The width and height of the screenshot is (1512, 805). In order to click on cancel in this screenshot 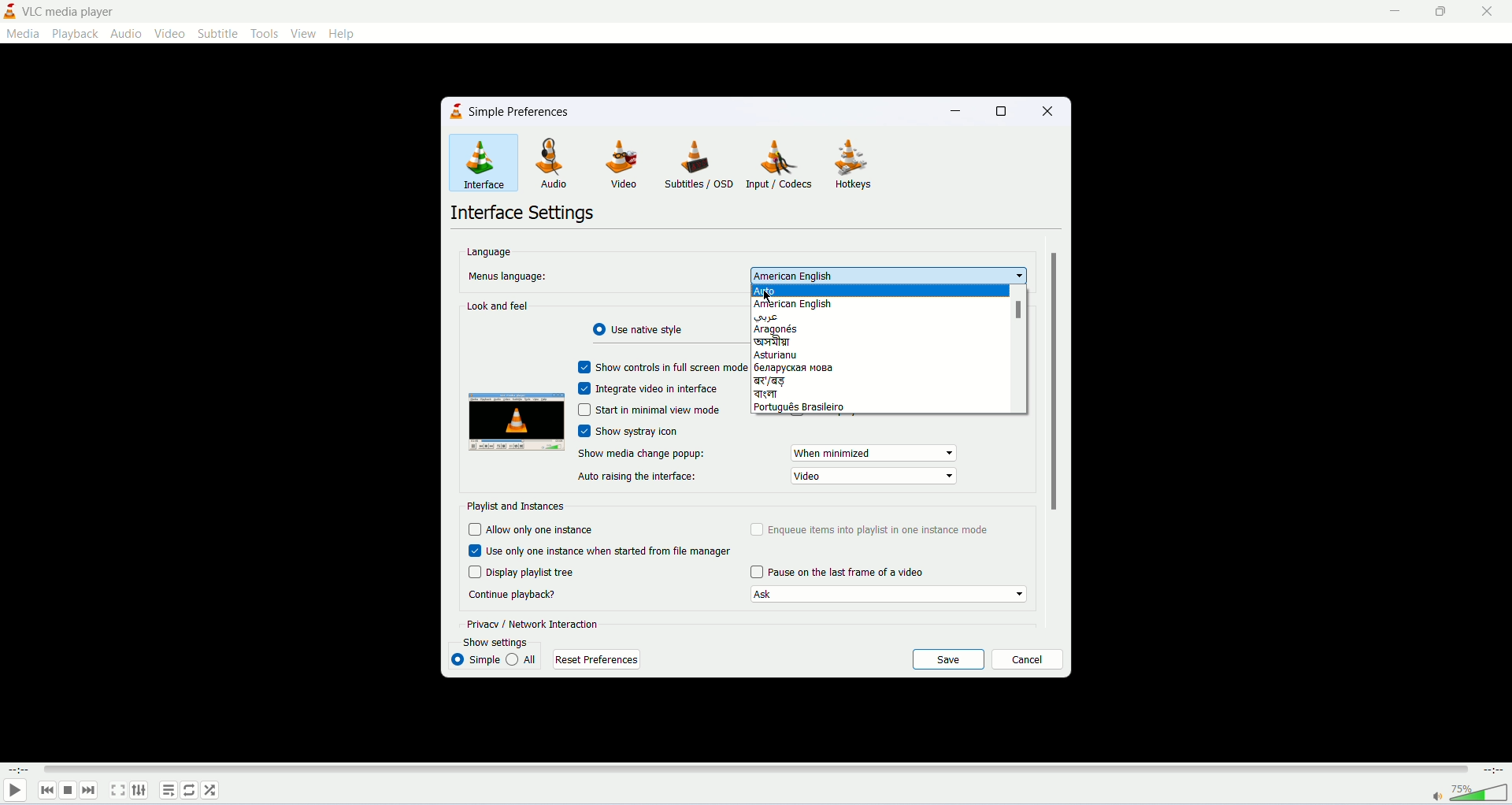, I will do `click(1028, 660)`.